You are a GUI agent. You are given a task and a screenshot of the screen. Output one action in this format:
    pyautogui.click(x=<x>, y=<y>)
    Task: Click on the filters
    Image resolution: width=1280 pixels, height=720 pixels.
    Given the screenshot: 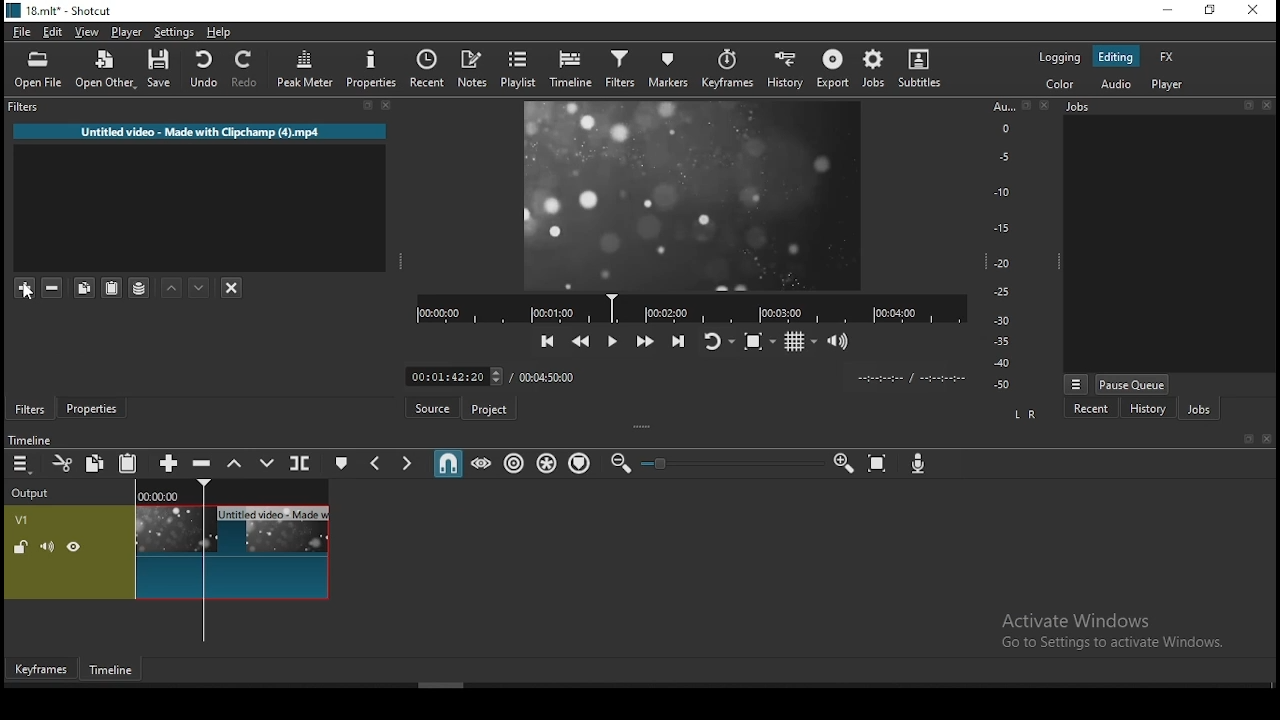 What is the action you would take?
    pyautogui.click(x=26, y=107)
    